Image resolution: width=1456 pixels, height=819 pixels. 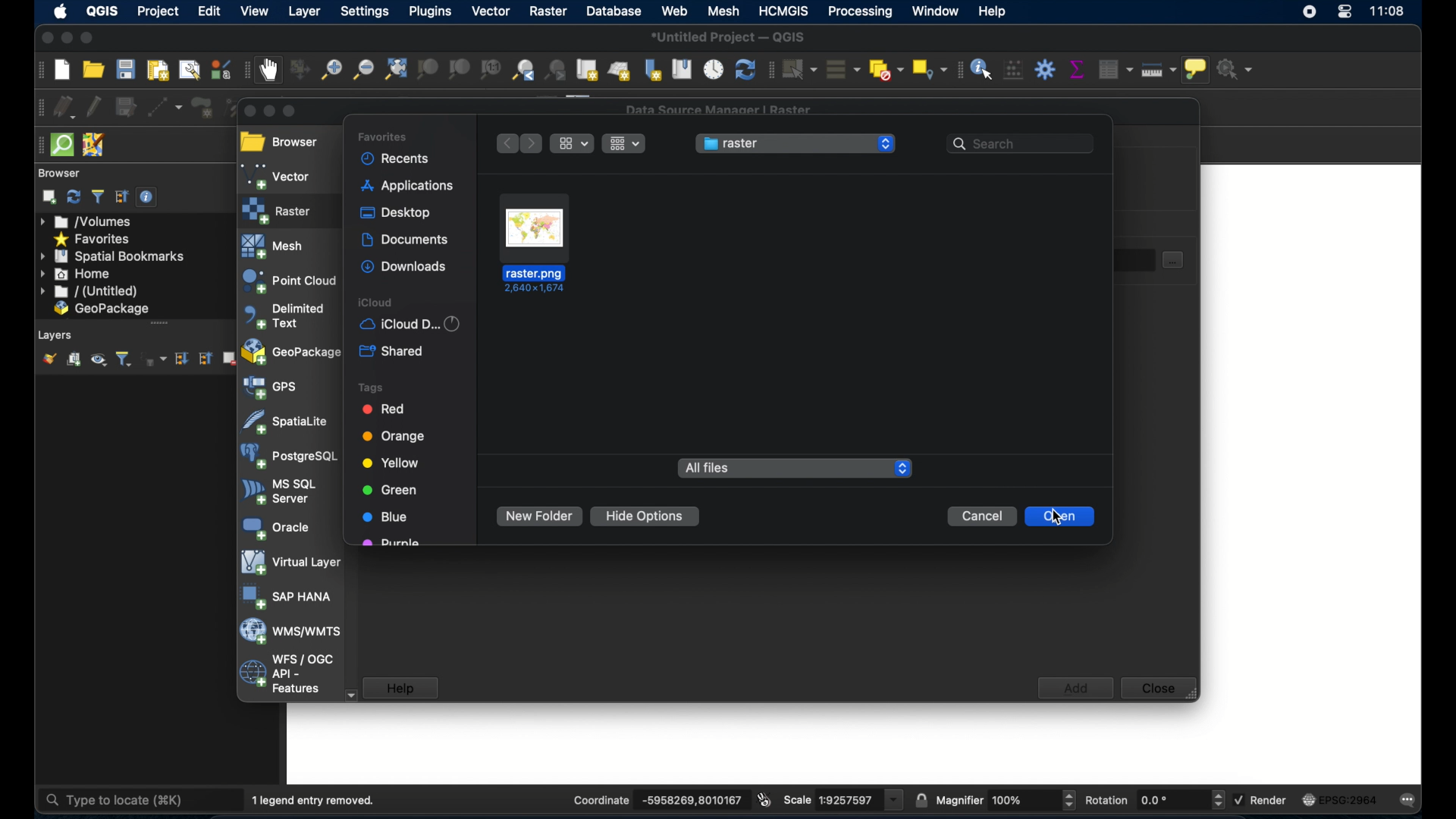 I want to click on type to locate, so click(x=118, y=799).